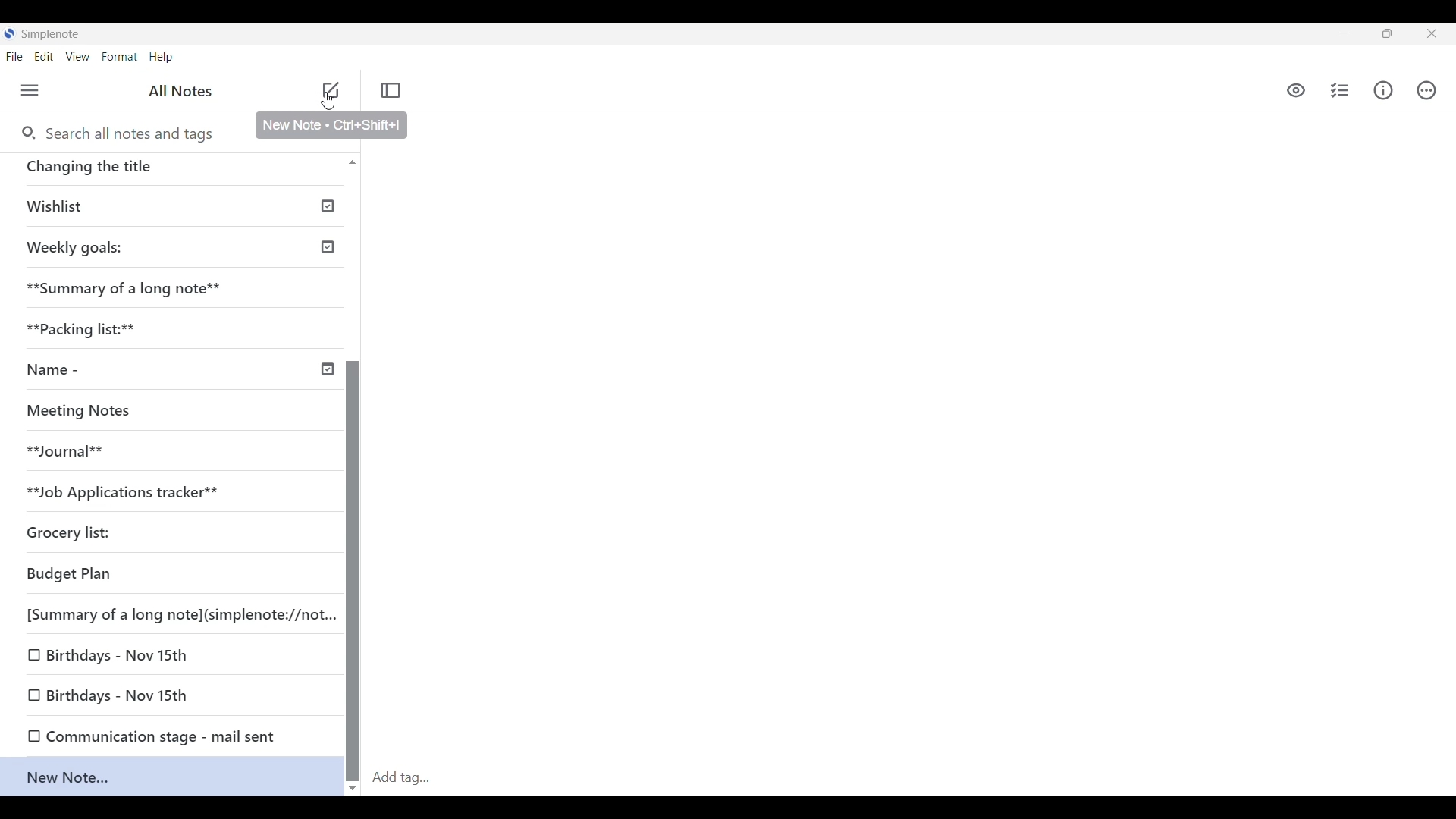 This screenshot has width=1456, height=819. Describe the element at coordinates (72, 572) in the screenshot. I see `Budget Plan` at that location.